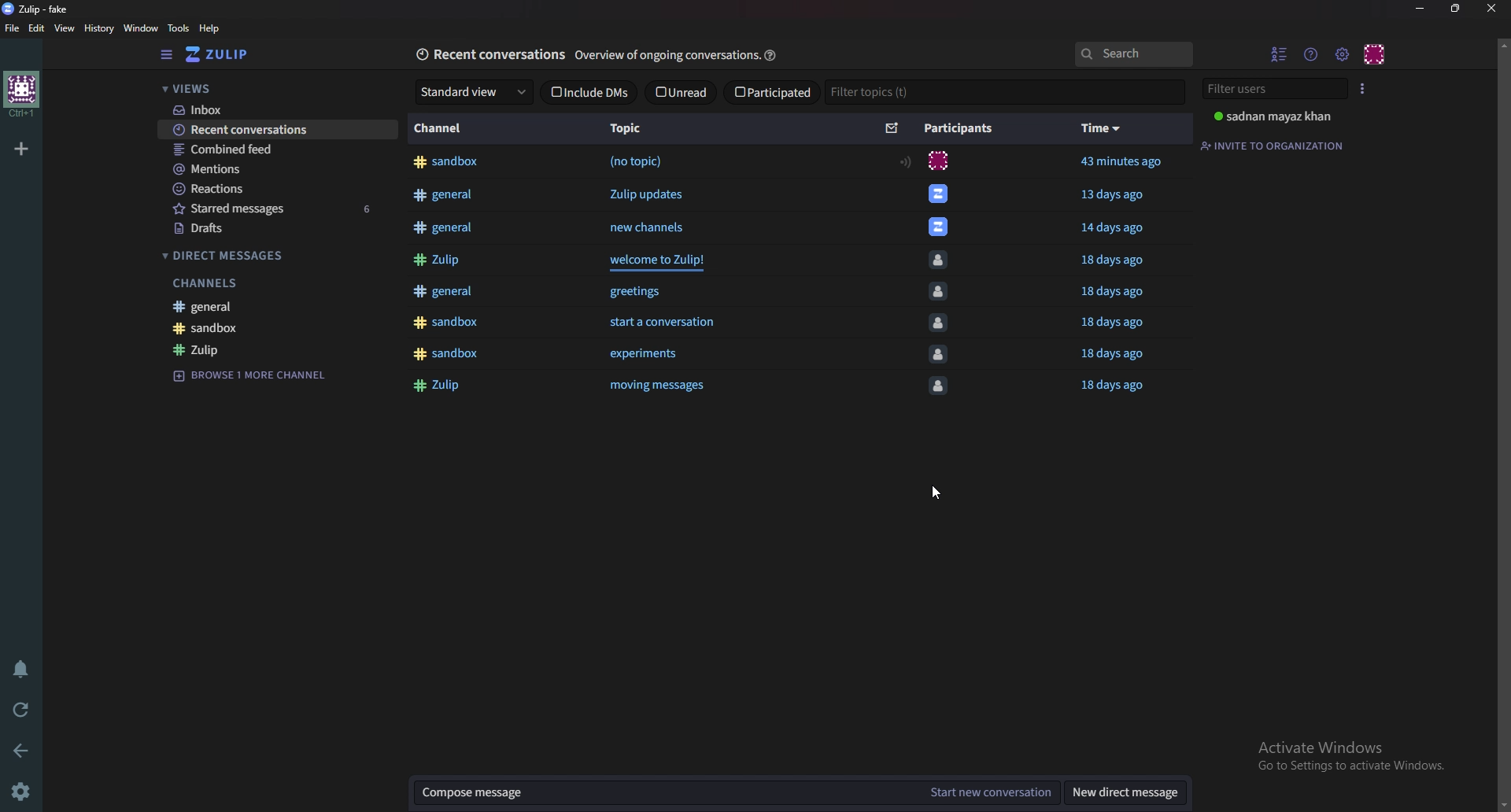 This screenshot has height=812, width=1511. Describe the element at coordinates (451, 327) in the screenshot. I see `#sandbox` at that location.